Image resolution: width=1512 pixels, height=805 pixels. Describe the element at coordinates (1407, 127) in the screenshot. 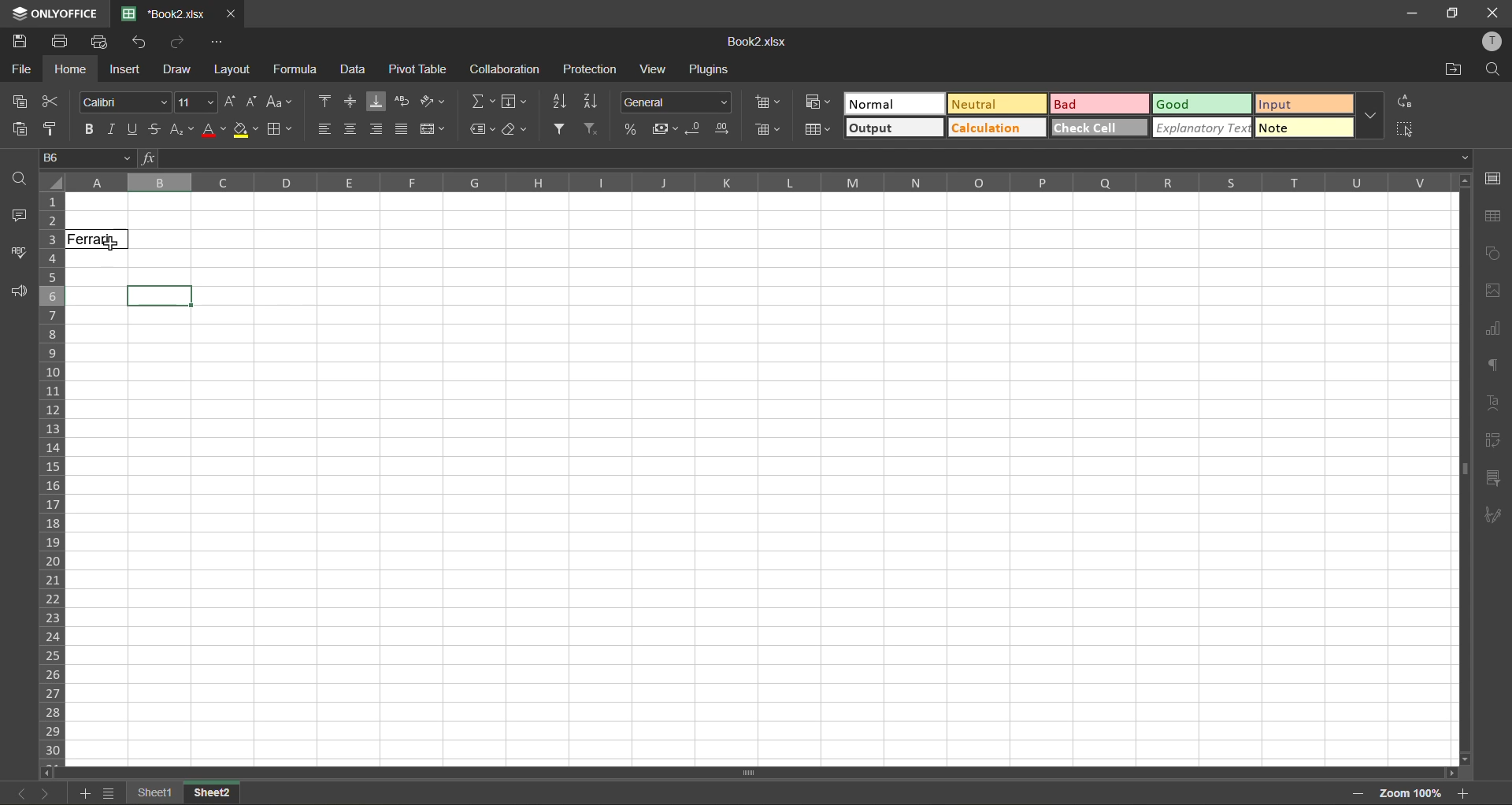

I see `select cell` at that location.